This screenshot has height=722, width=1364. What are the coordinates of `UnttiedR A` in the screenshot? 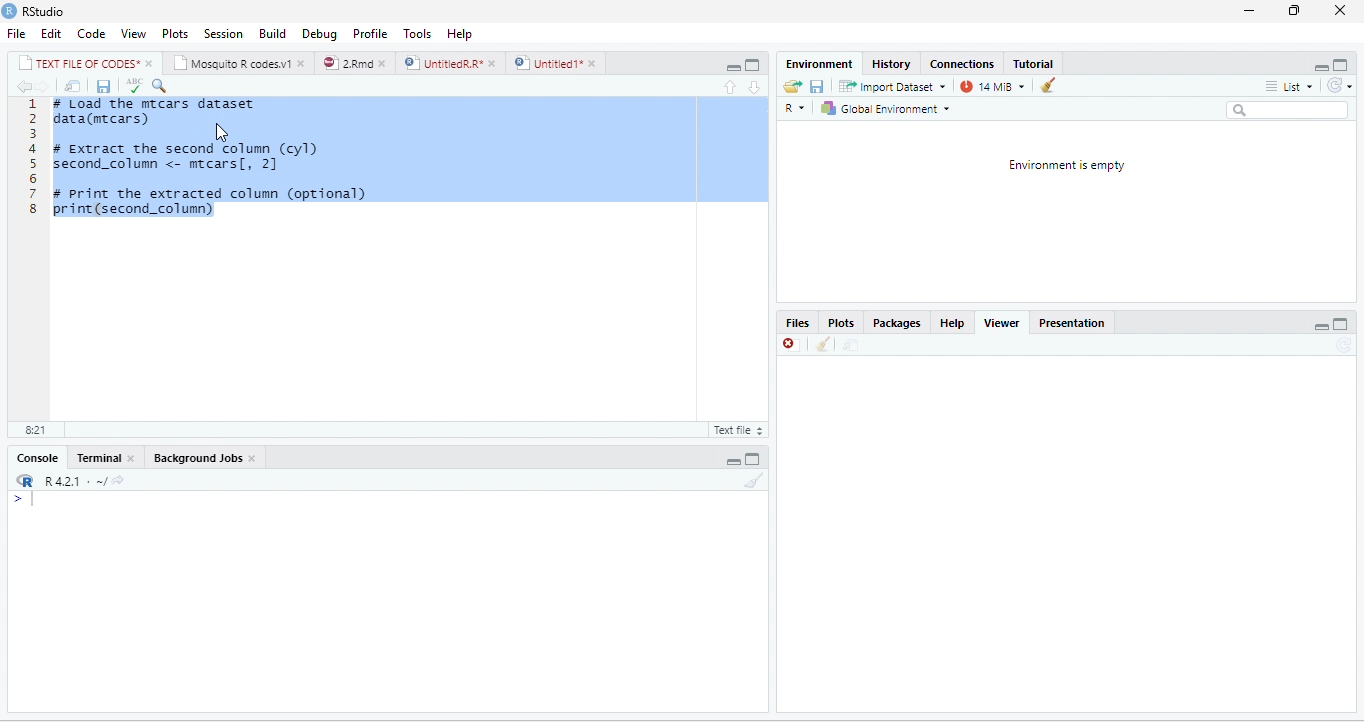 It's located at (443, 62).